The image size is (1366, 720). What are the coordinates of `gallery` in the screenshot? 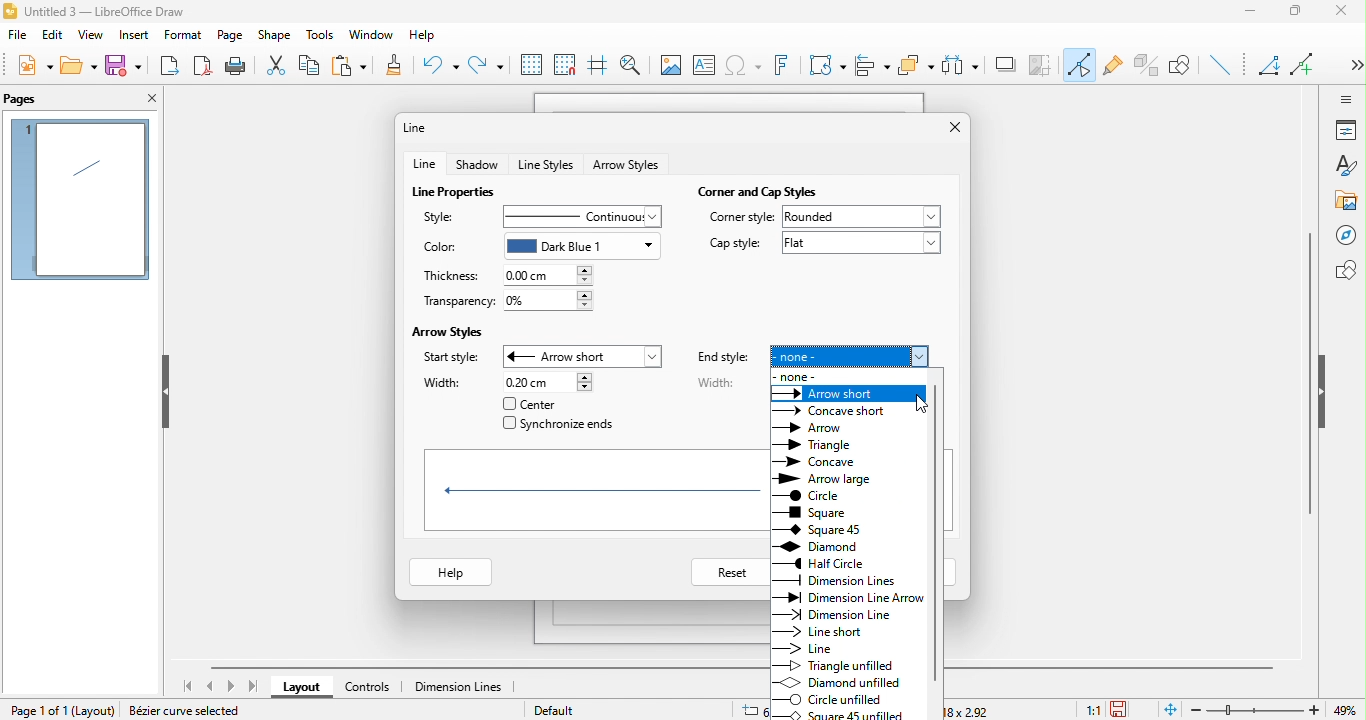 It's located at (1347, 201).